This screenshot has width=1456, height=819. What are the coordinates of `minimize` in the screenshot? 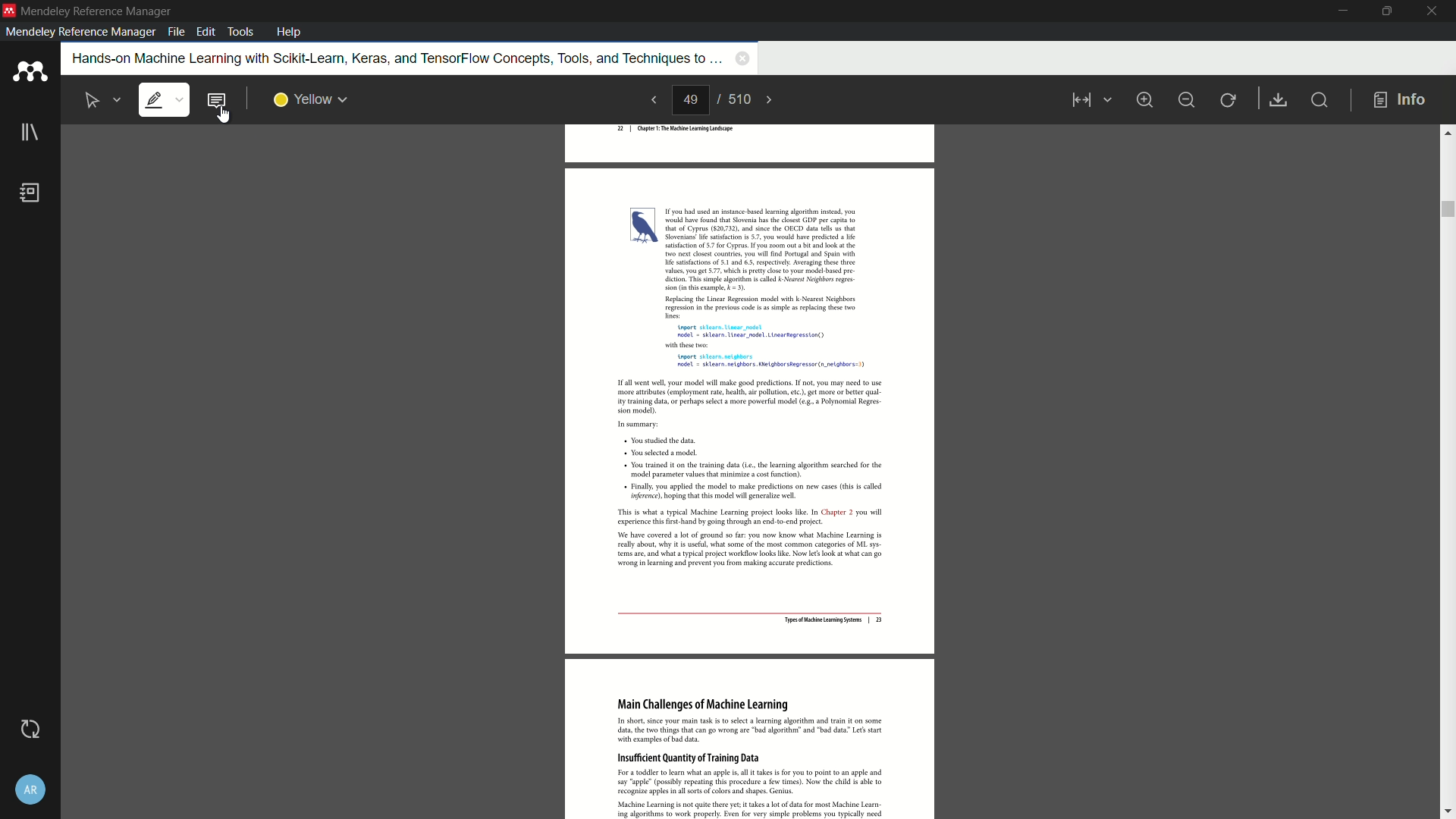 It's located at (1337, 11).